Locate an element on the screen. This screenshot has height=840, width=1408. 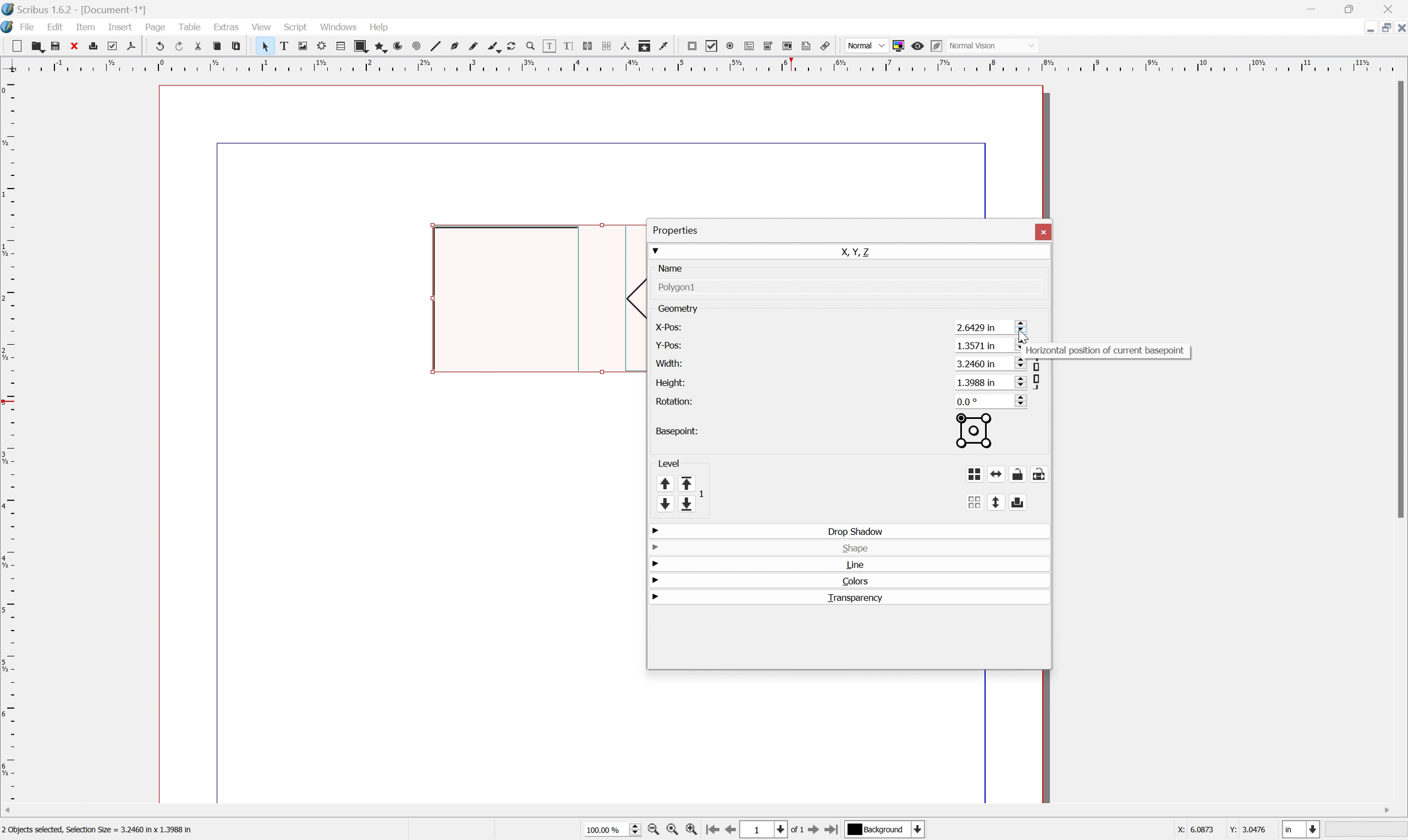
file is located at coordinates (29, 26).